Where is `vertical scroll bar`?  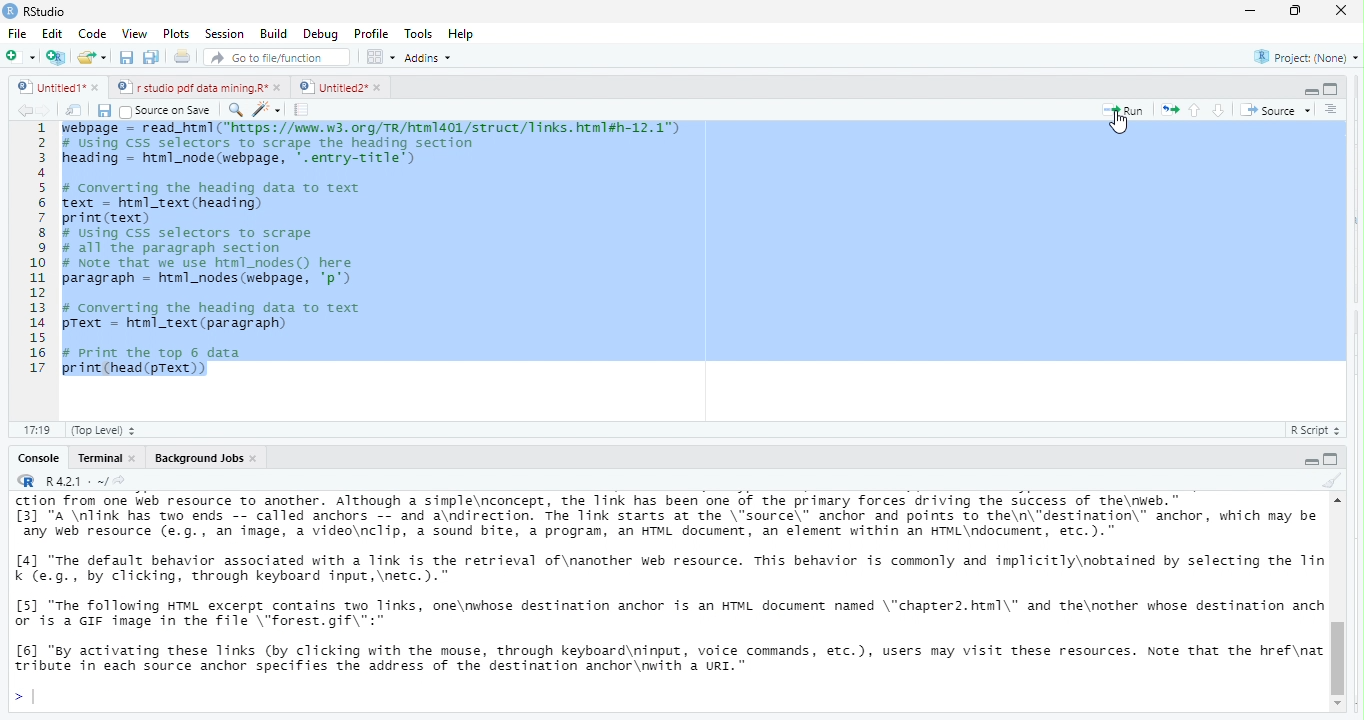
vertical scroll bar is located at coordinates (1339, 601).